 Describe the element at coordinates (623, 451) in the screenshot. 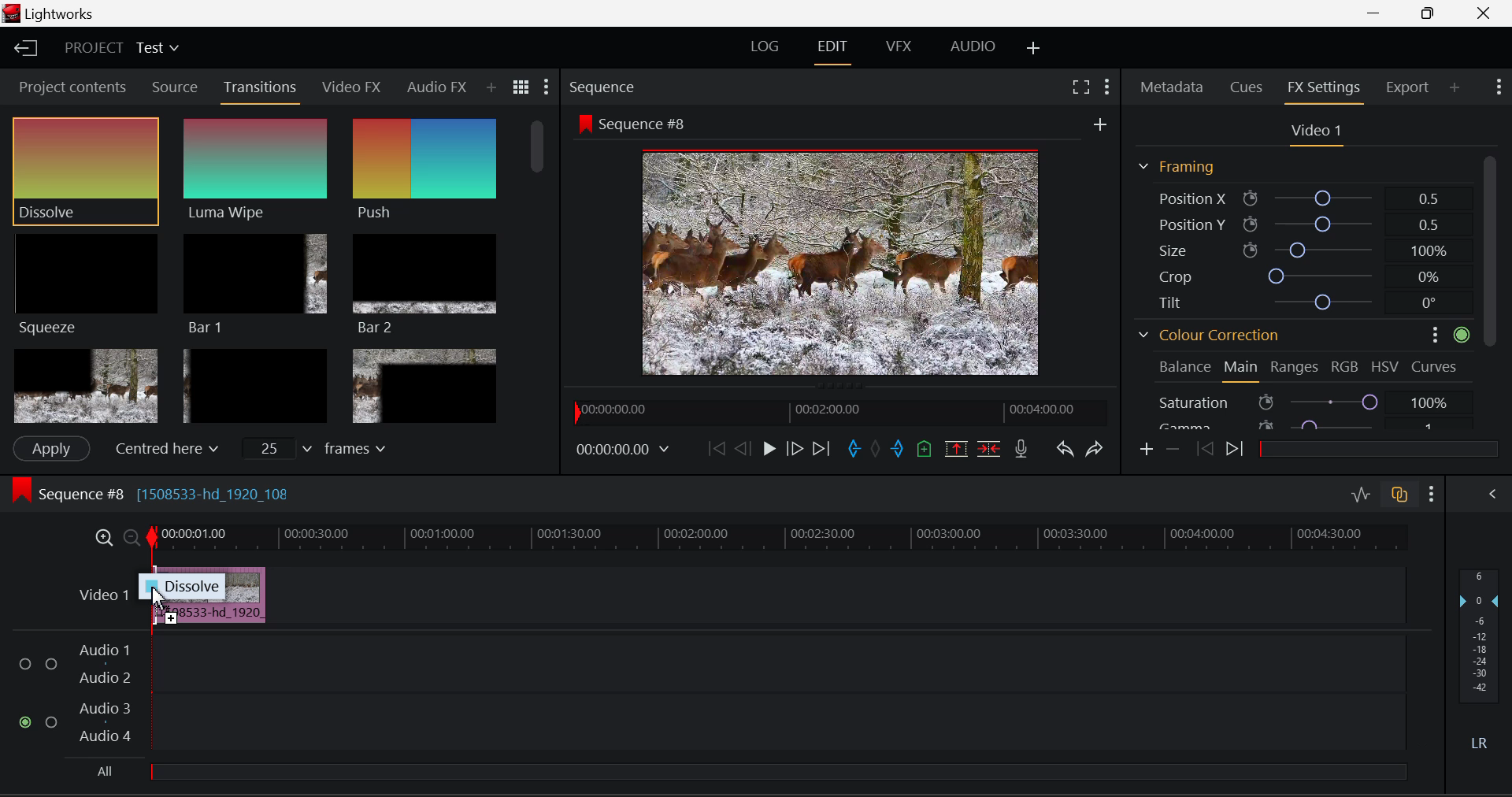

I see `Frame Time` at that location.